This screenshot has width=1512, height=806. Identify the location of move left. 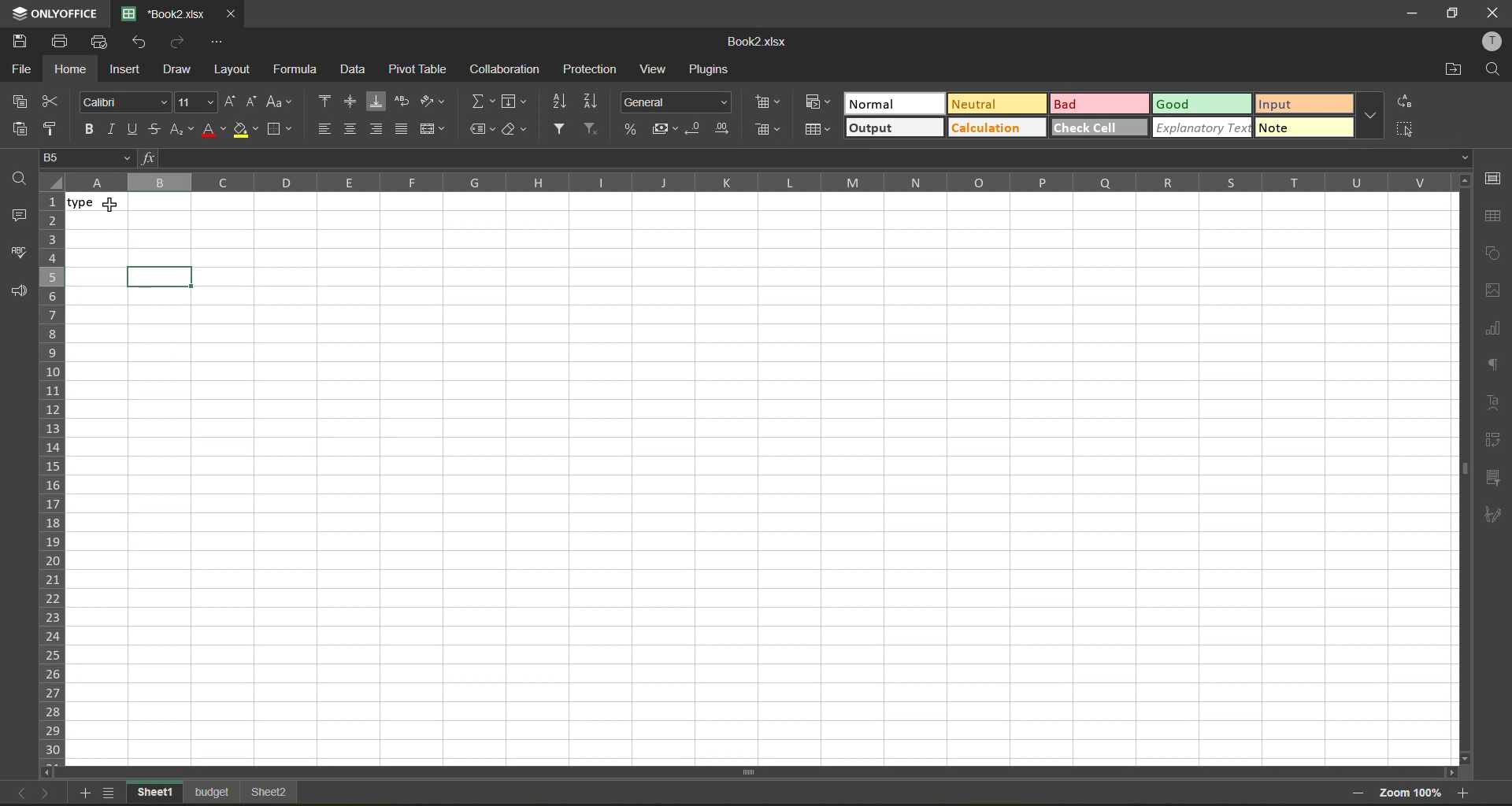
(50, 773).